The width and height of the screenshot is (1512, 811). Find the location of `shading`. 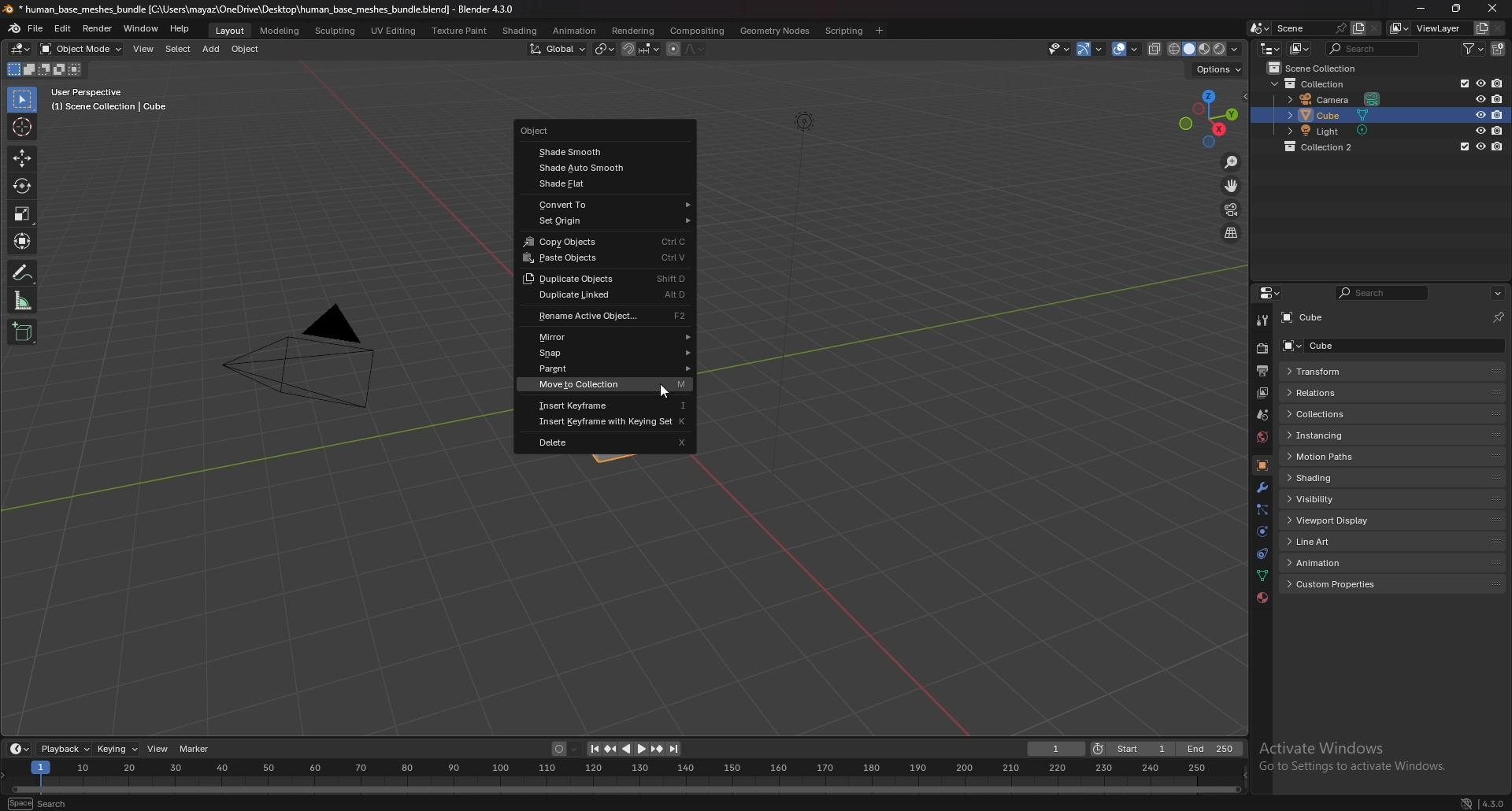

shading is located at coordinates (1343, 477).